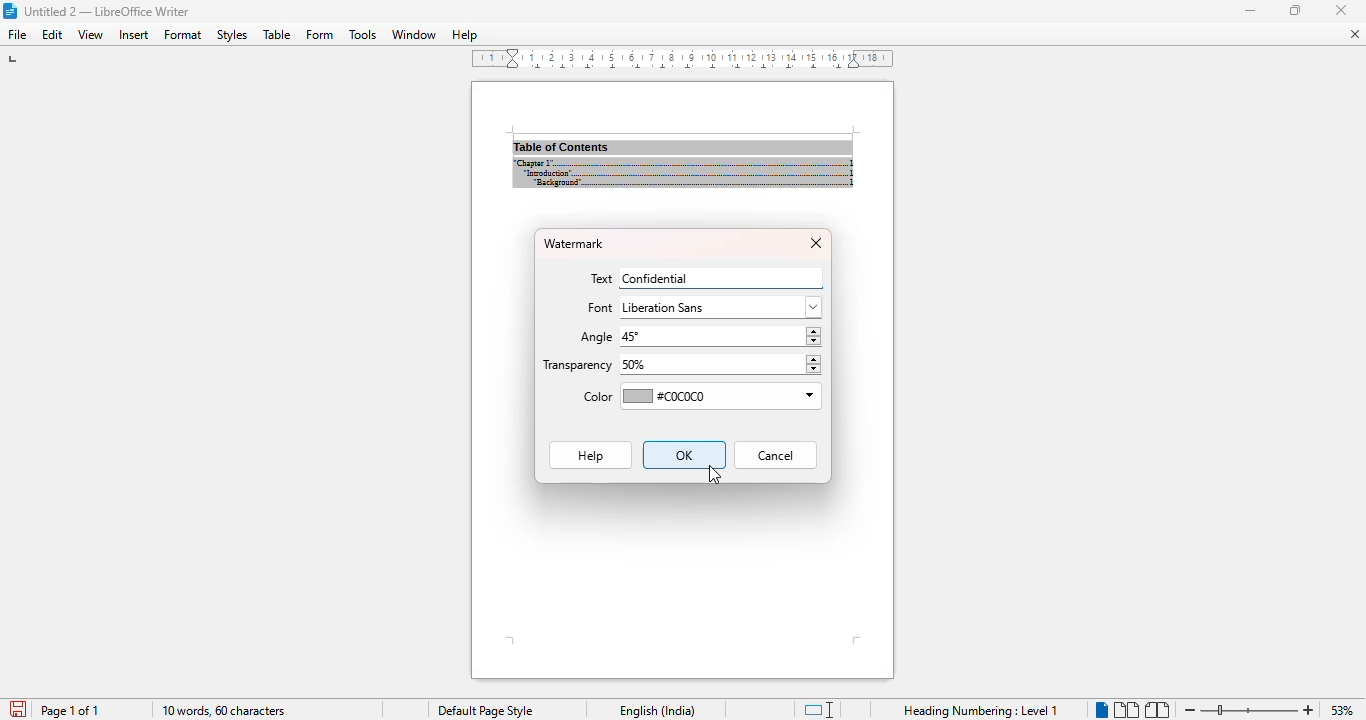  I want to click on minimize, so click(1341, 10).